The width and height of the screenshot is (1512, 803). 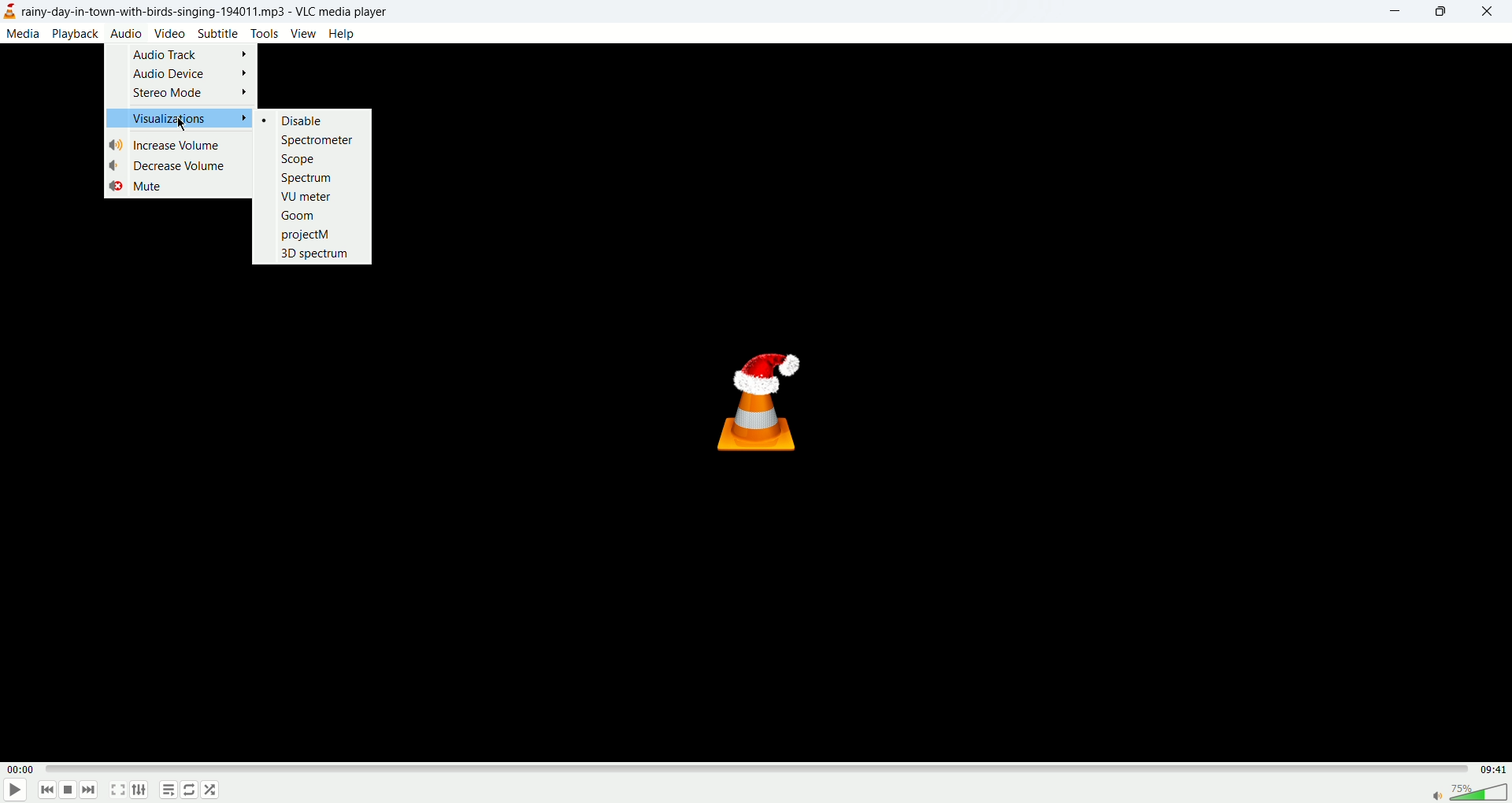 What do you see at coordinates (303, 33) in the screenshot?
I see `view` at bounding box center [303, 33].